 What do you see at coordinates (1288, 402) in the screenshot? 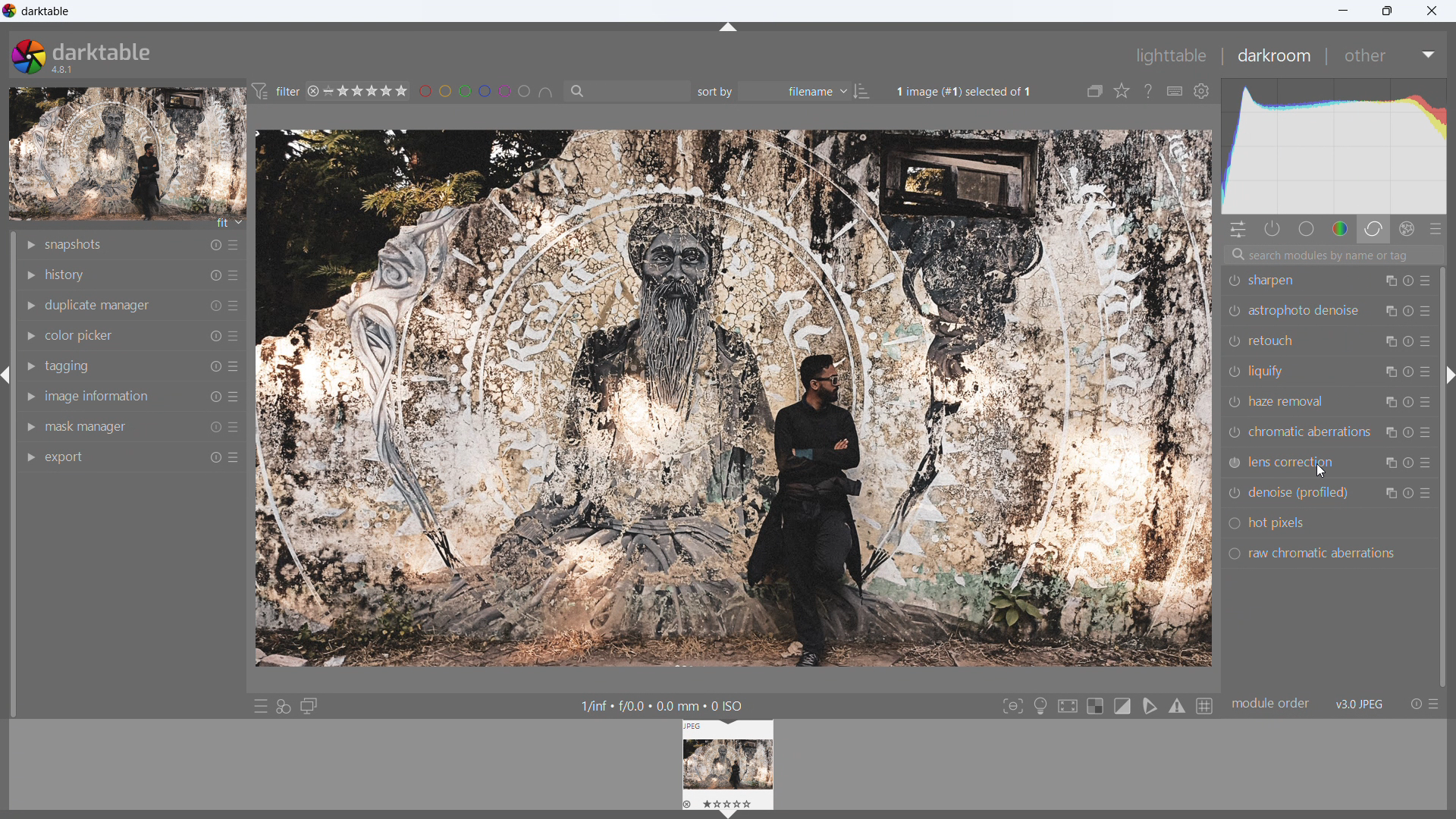
I see `haze removal` at bounding box center [1288, 402].